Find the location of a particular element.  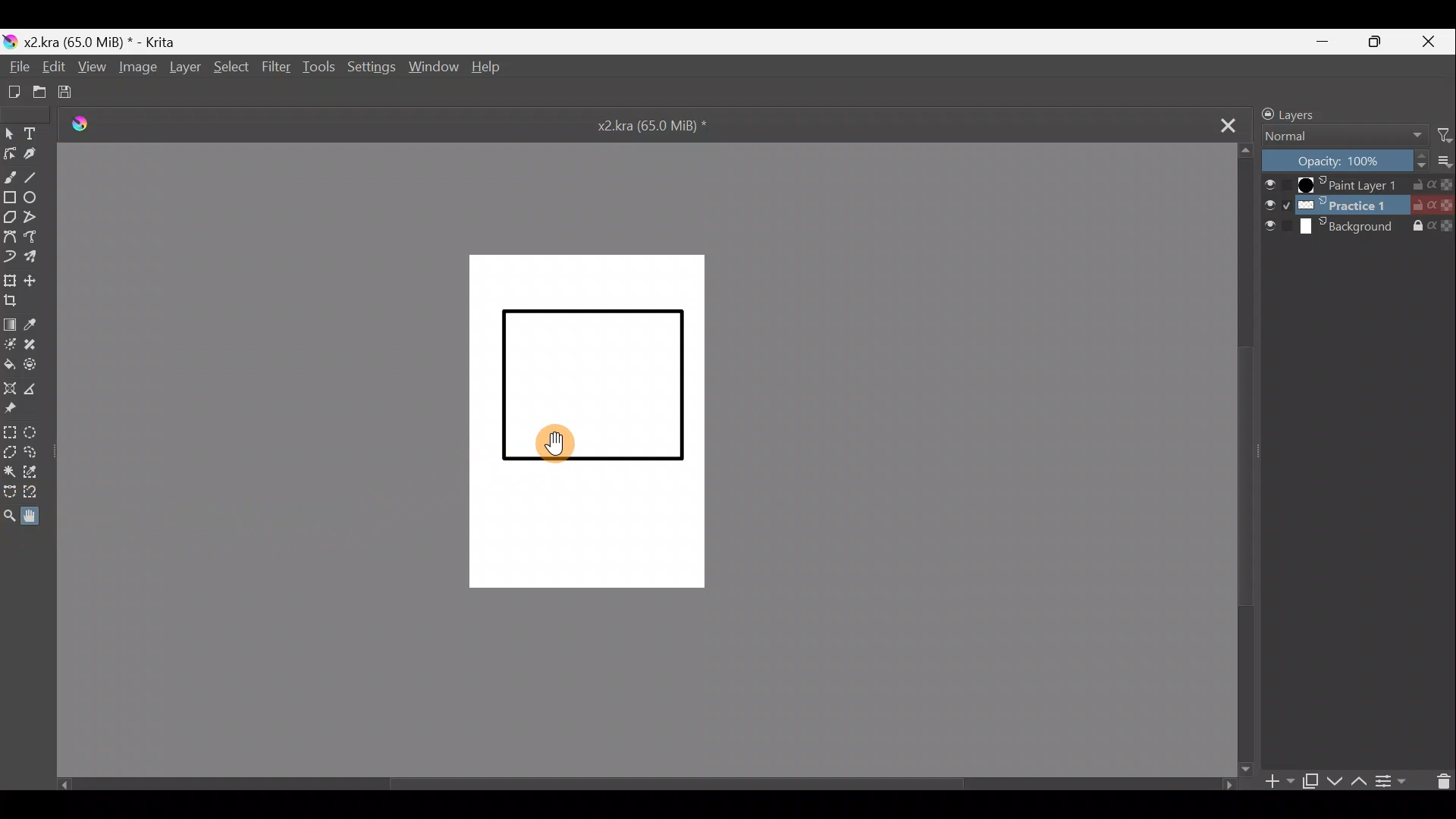

Normal Blending mode is located at coordinates (1337, 136).